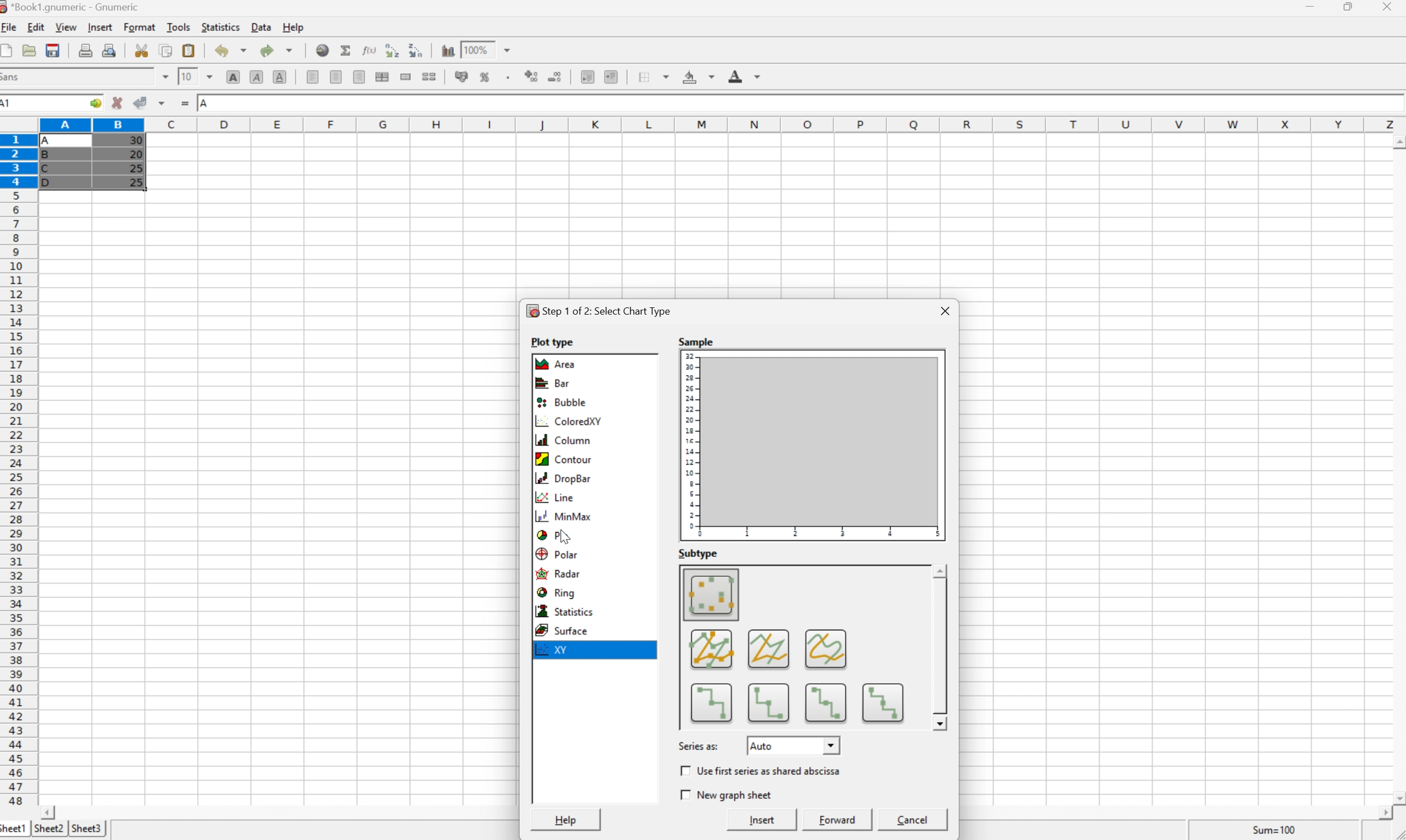 The image size is (1406, 840). Describe the element at coordinates (428, 77) in the screenshot. I see `Split merged ranges of cells` at that location.